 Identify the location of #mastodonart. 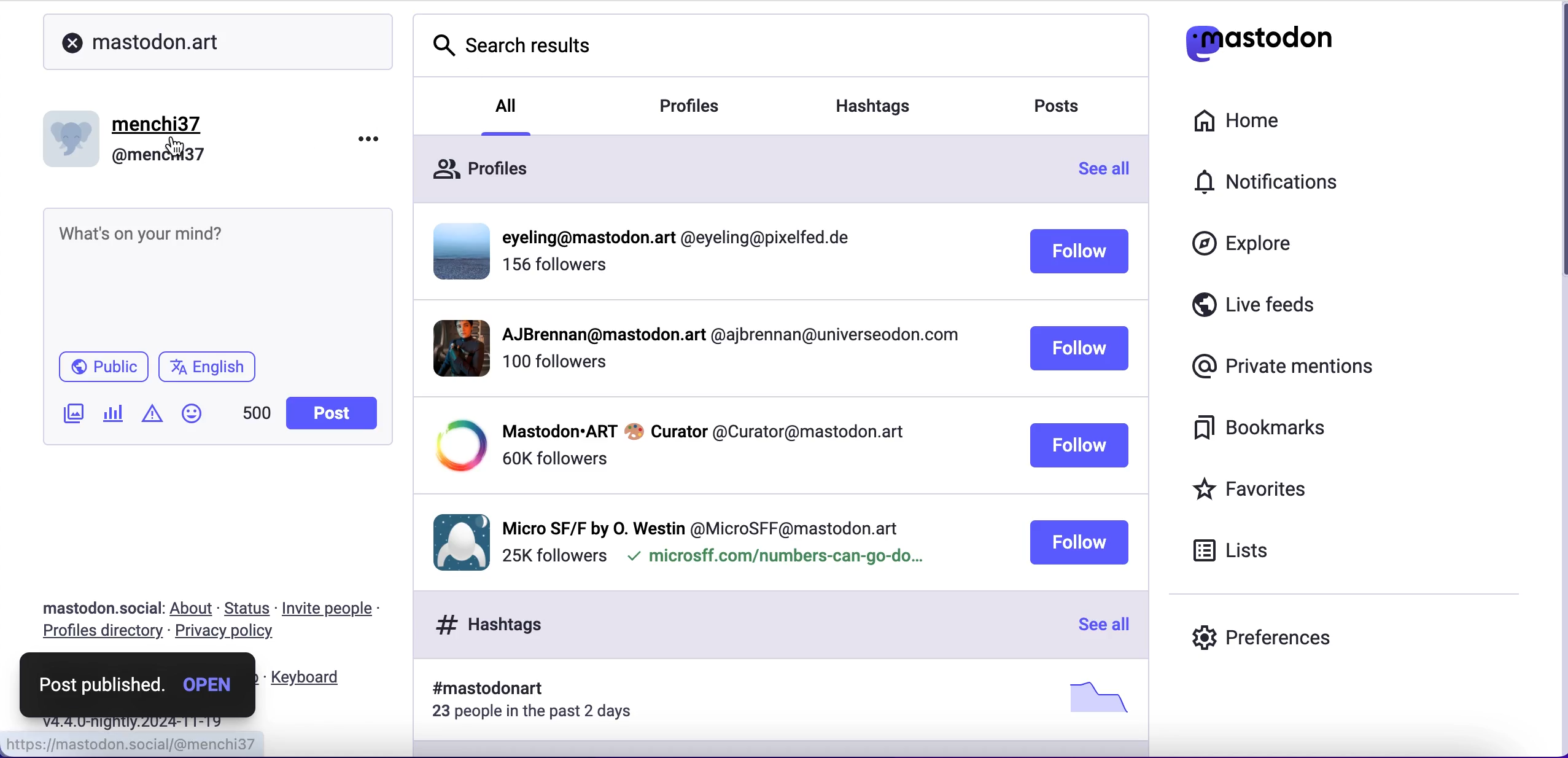
(487, 688).